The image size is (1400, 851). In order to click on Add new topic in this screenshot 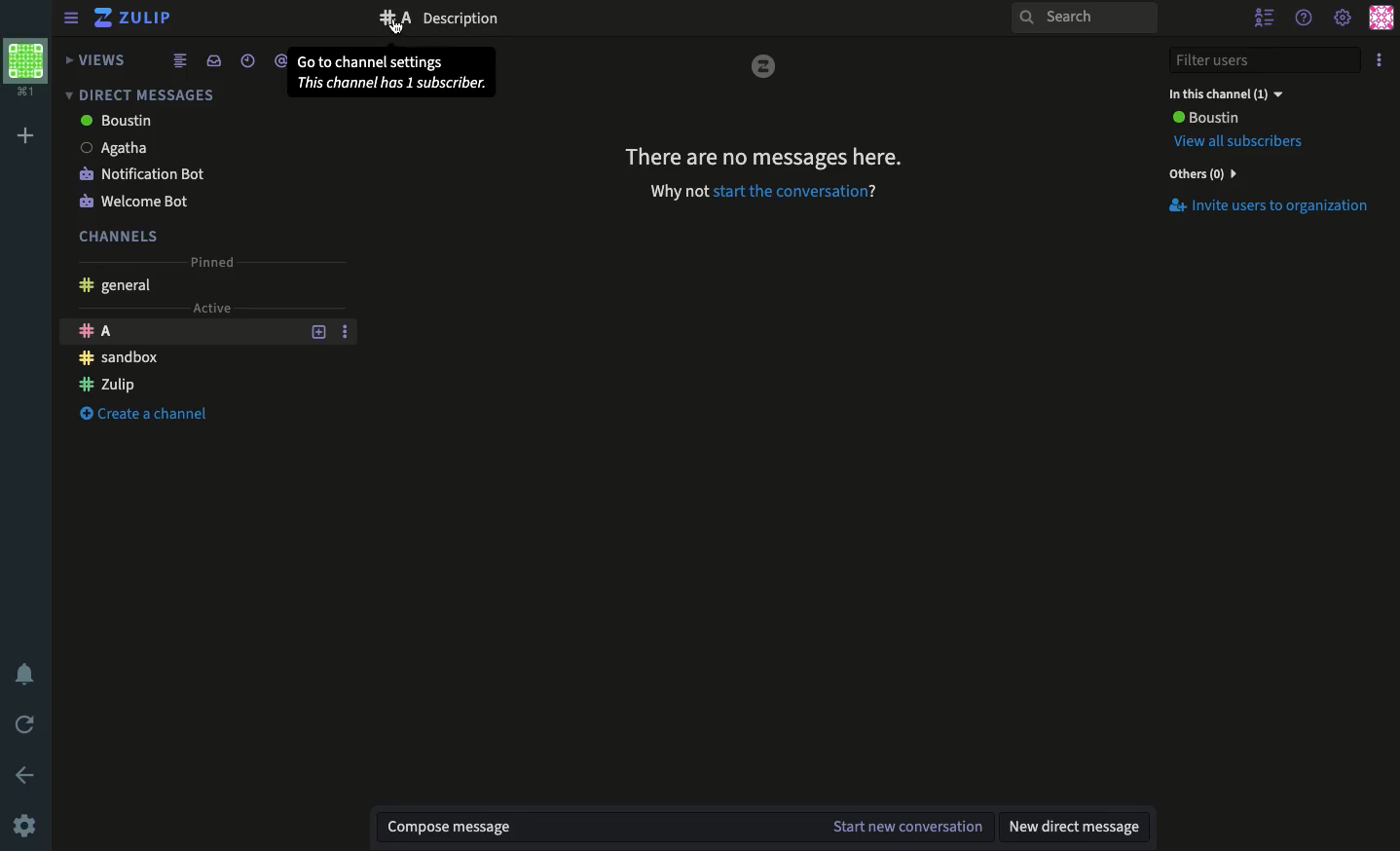, I will do `click(317, 332)`.